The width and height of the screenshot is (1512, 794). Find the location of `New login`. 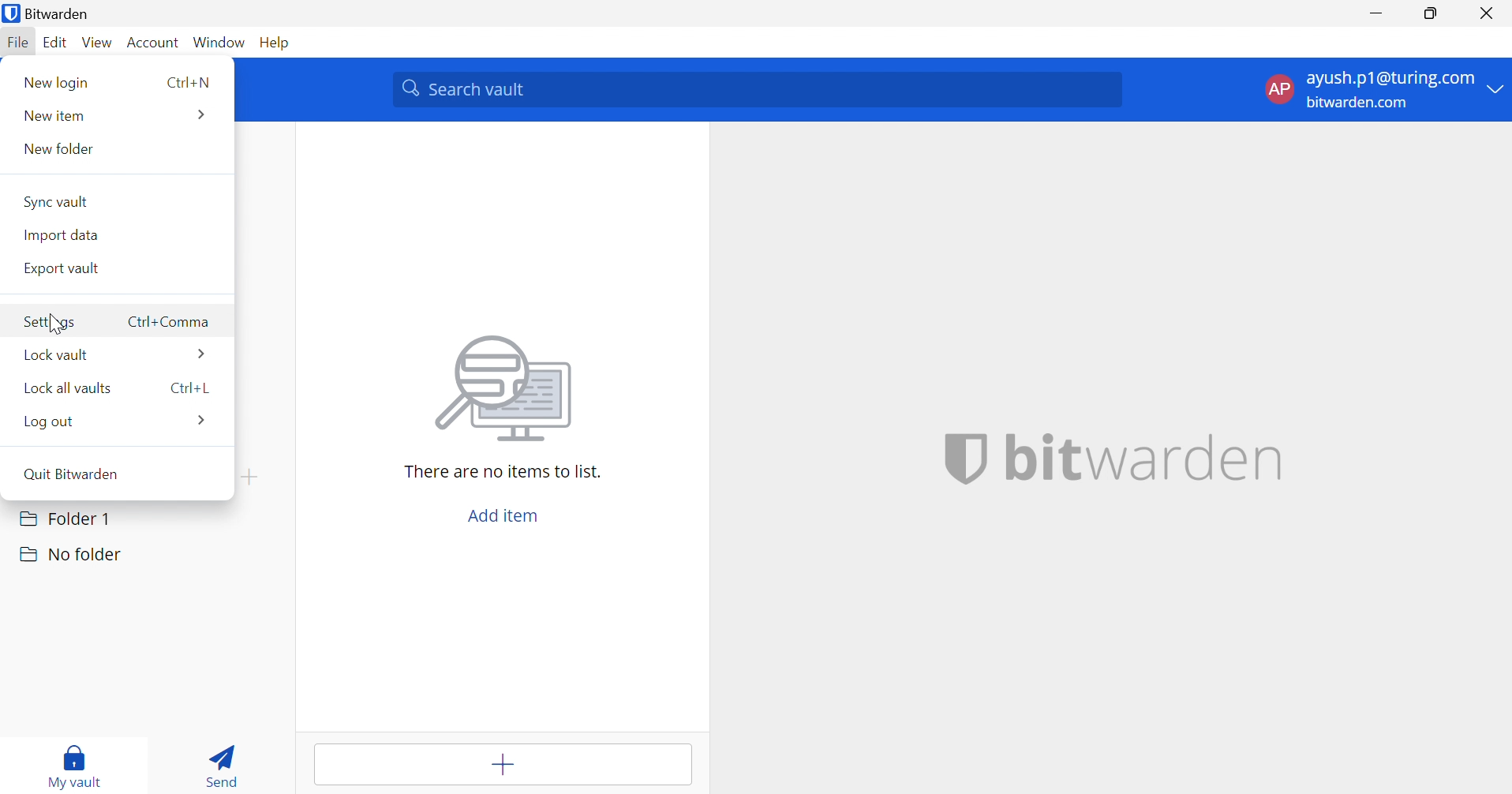

New login is located at coordinates (56, 82).